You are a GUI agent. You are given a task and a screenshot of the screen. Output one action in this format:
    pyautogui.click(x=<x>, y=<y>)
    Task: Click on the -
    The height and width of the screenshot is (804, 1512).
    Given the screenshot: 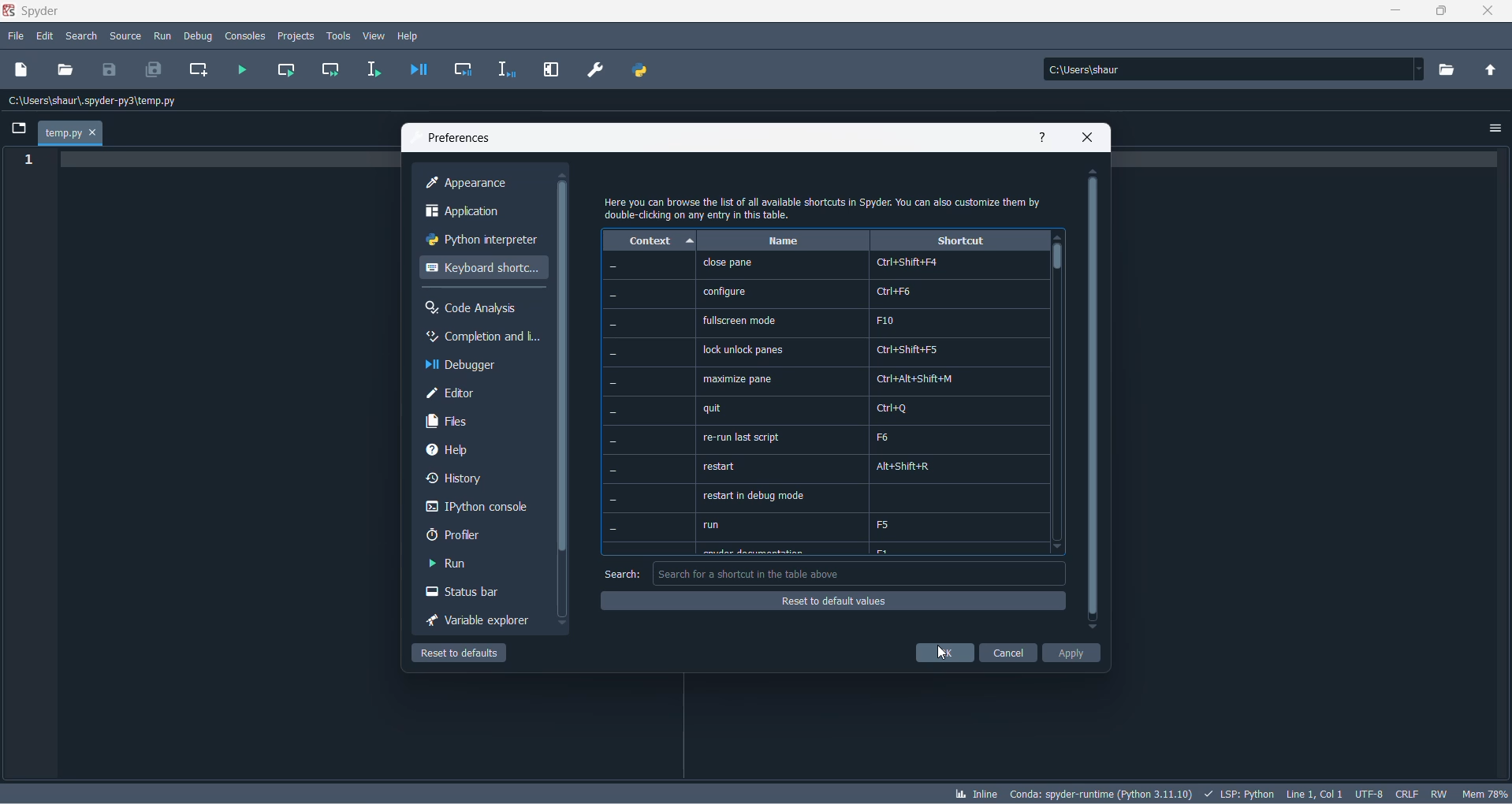 What is the action you would take?
    pyautogui.click(x=612, y=383)
    